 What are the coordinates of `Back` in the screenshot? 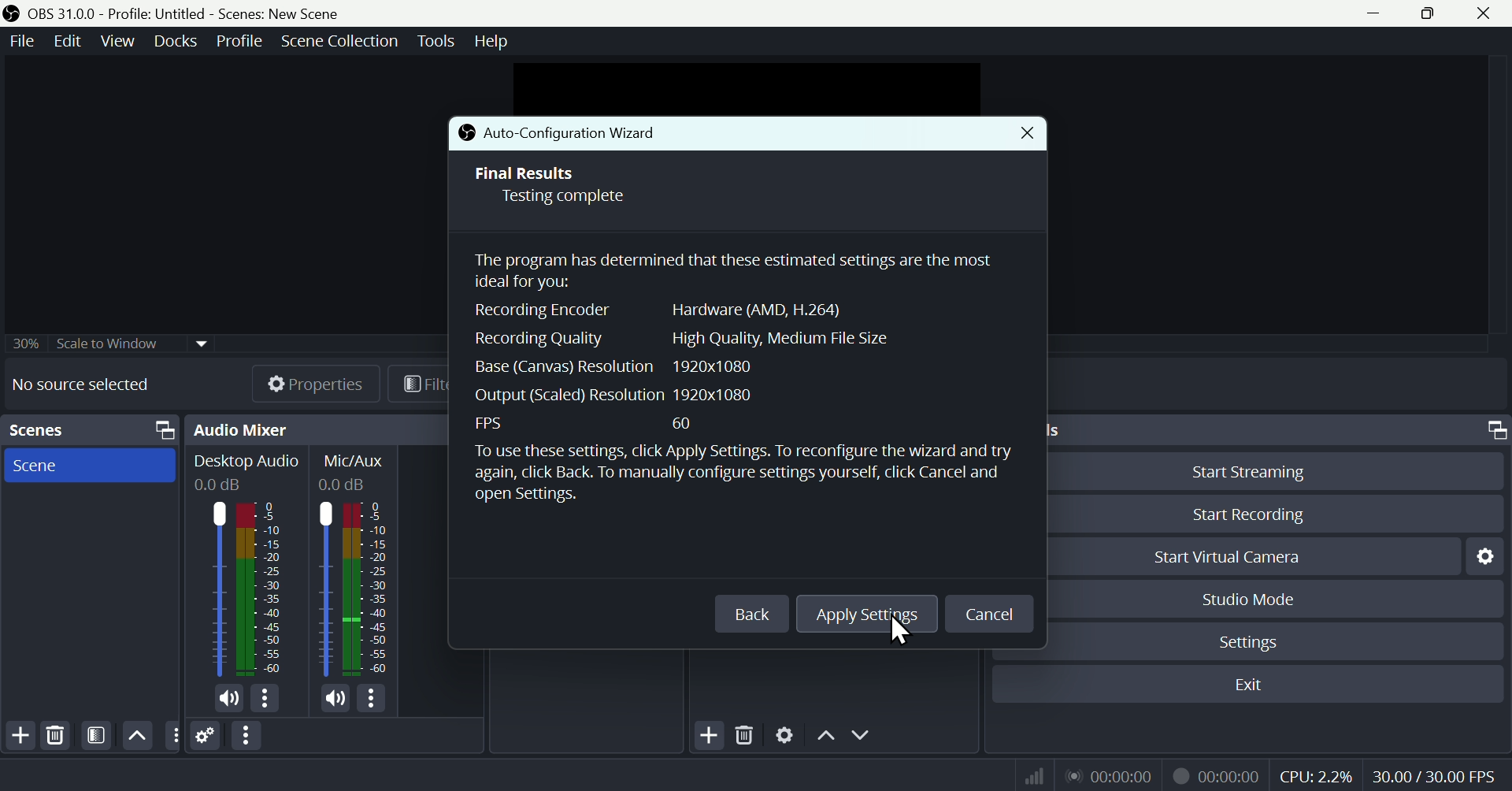 It's located at (751, 614).